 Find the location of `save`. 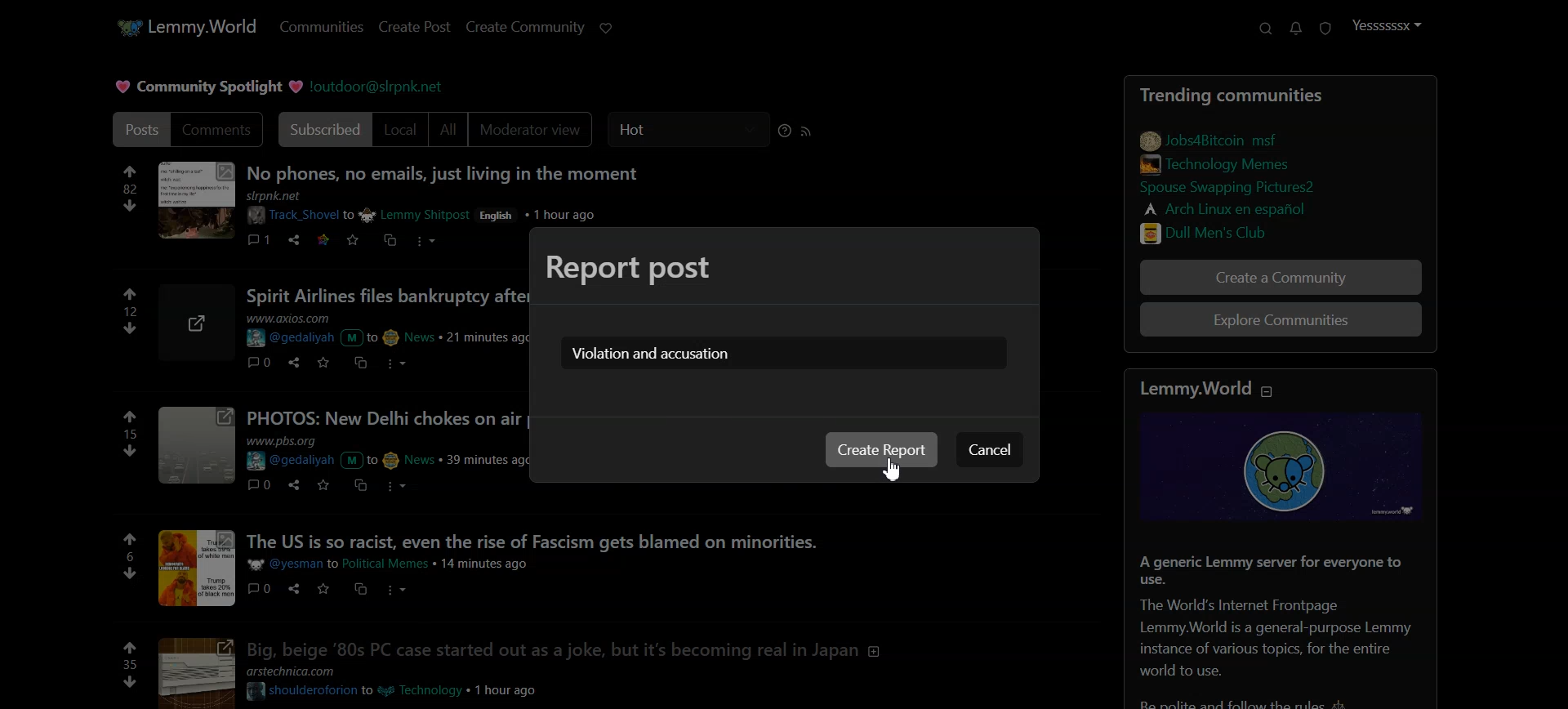

save is located at coordinates (352, 241).